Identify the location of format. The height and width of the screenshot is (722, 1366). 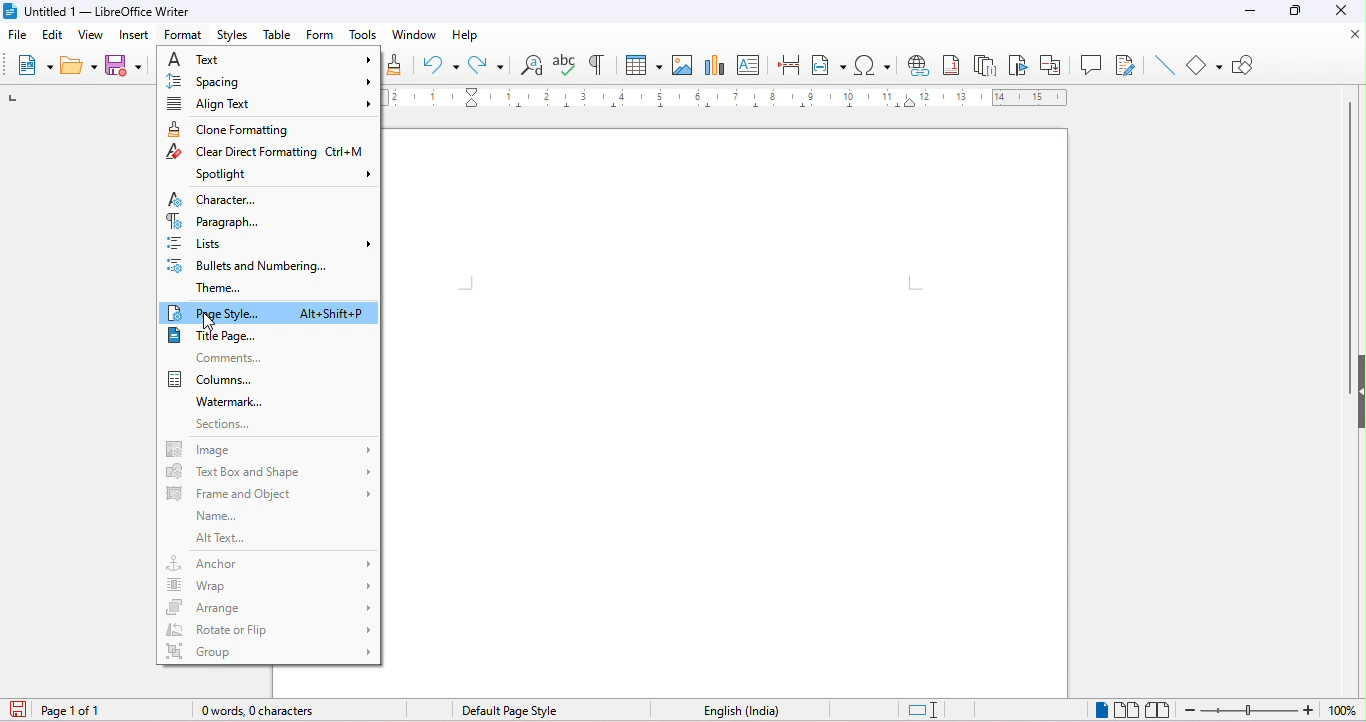
(185, 36).